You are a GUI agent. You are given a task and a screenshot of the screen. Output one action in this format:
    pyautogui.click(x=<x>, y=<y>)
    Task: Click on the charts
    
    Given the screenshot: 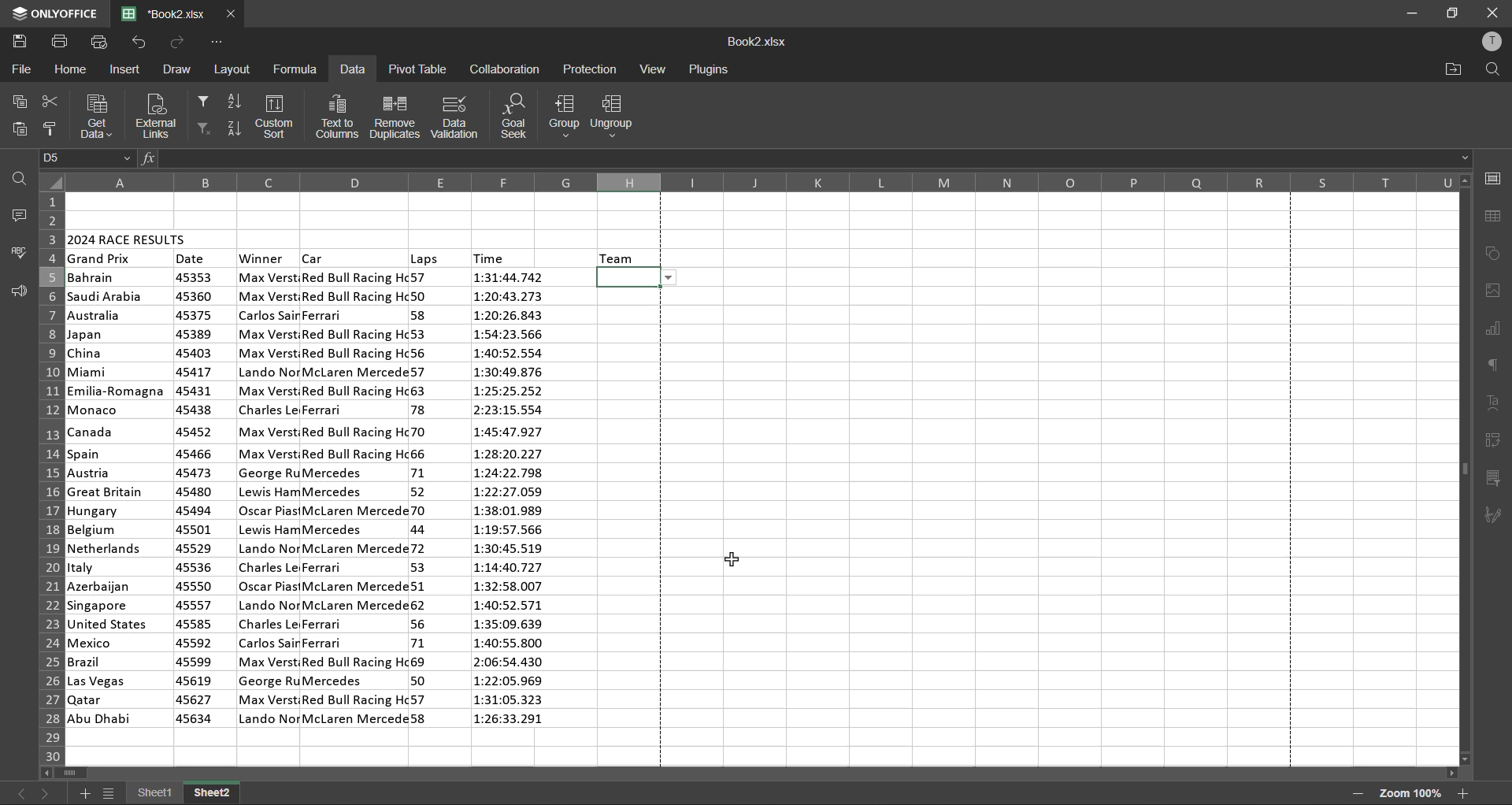 What is the action you would take?
    pyautogui.click(x=1493, y=331)
    